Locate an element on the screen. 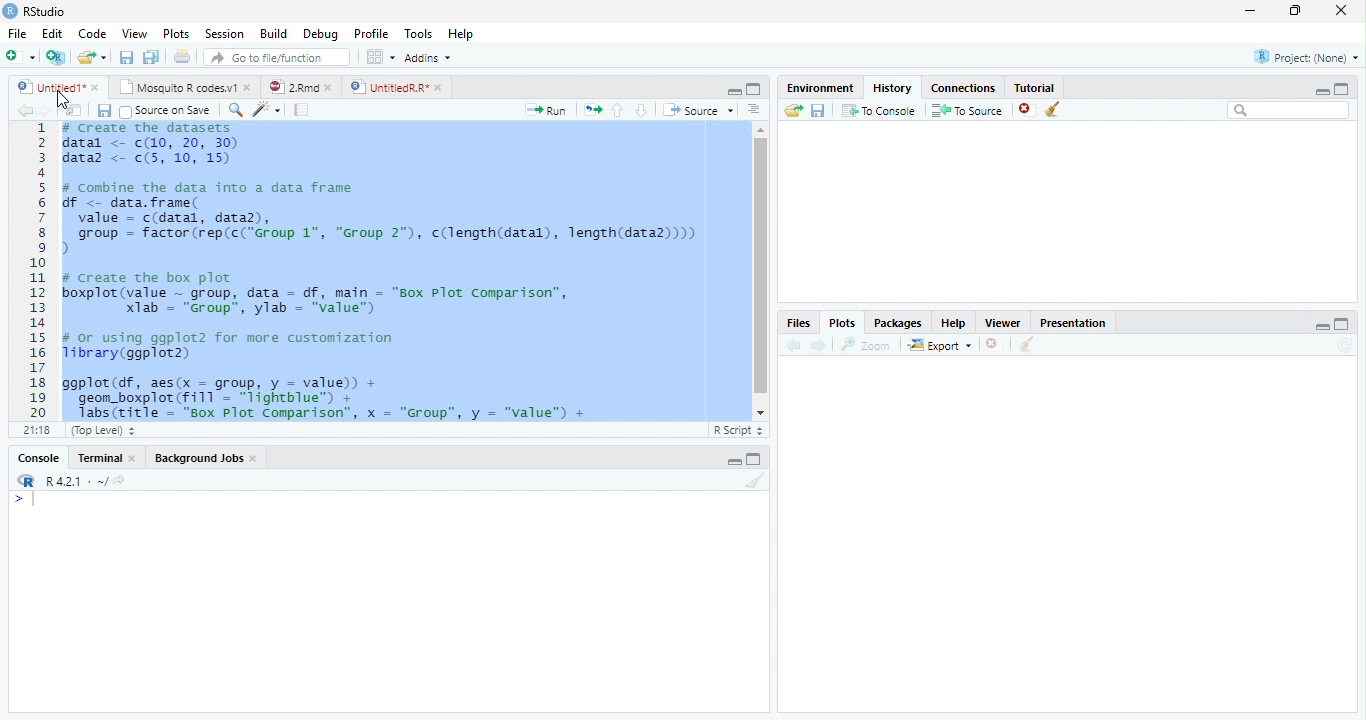 This screenshot has height=720, width=1366. close is located at coordinates (1341, 10).